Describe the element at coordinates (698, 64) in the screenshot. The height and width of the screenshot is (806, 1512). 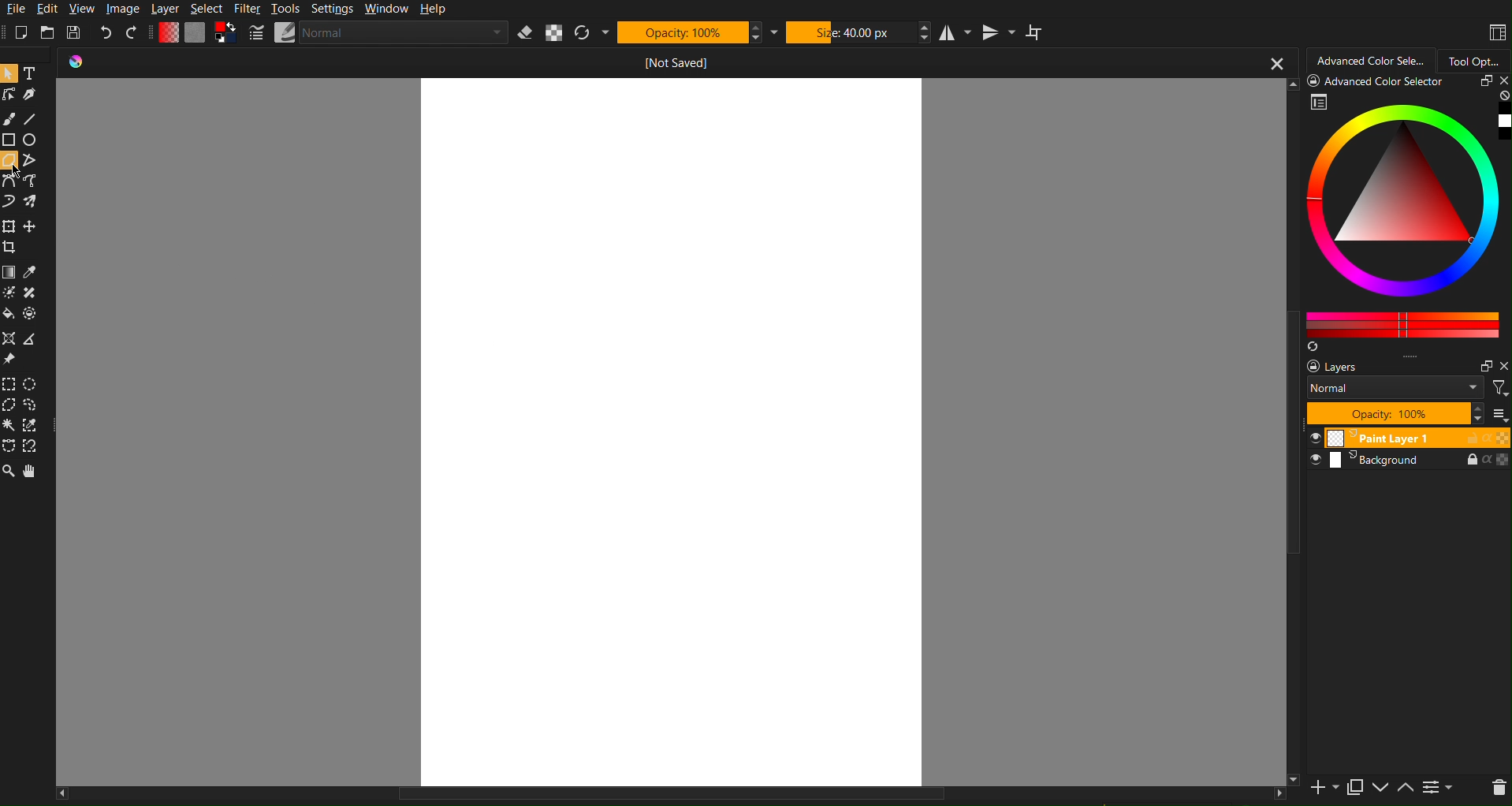
I see `not saved` at that location.